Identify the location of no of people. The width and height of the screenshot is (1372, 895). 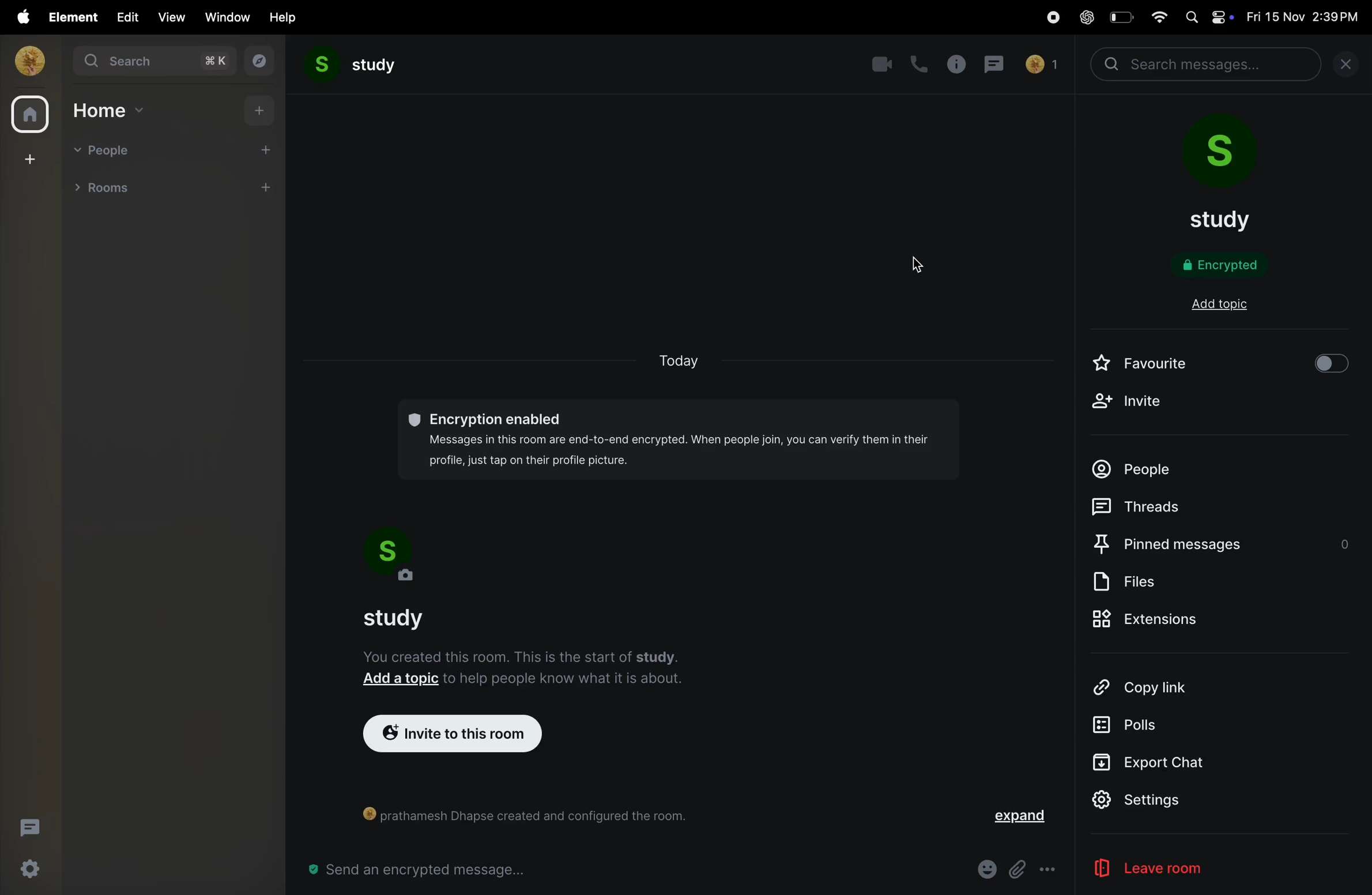
(1041, 66).